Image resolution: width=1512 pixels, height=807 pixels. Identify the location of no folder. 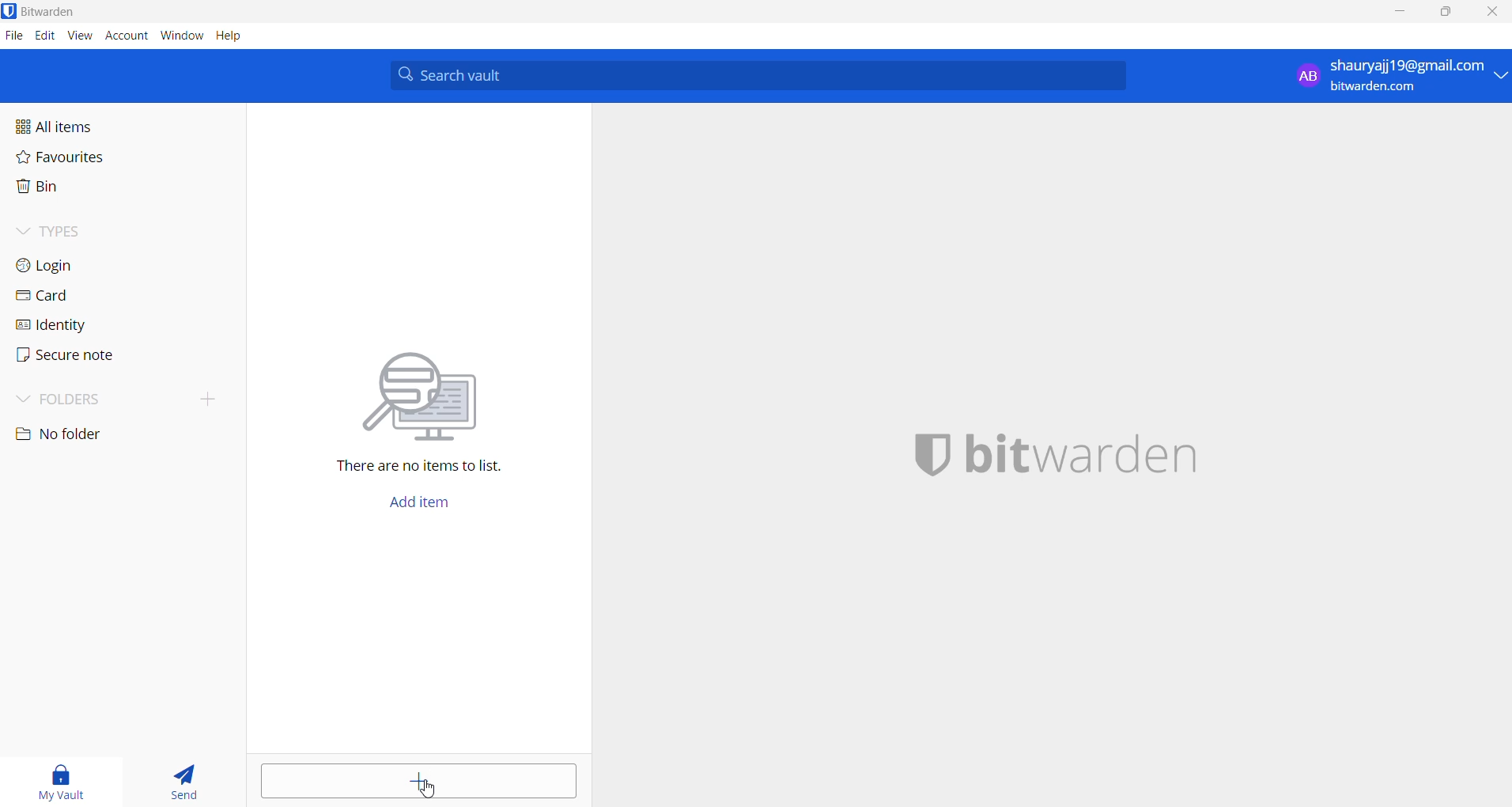
(94, 434).